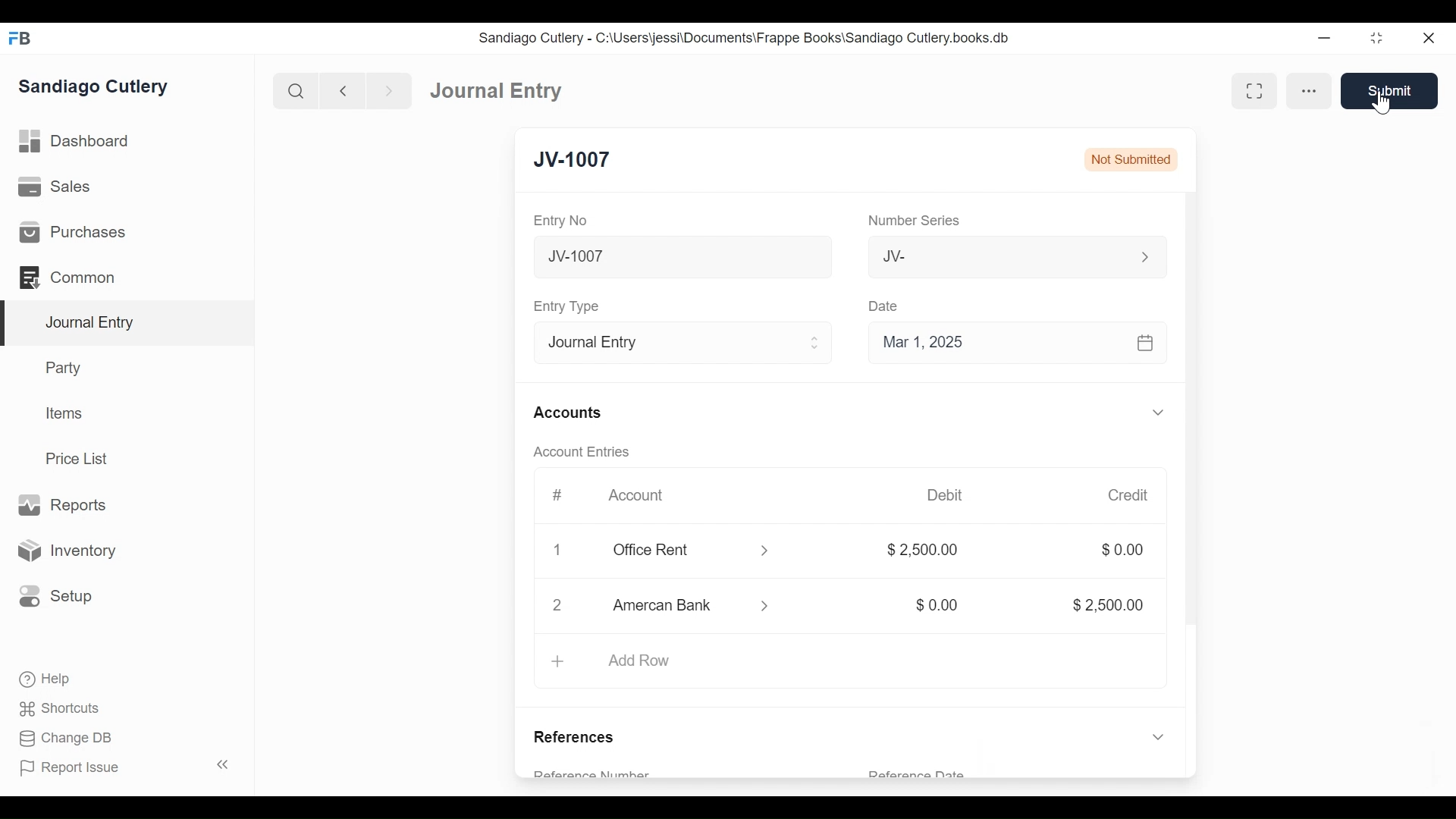 Image resolution: width=1456 pixels, height=819 pixels. Describe the element at coordinates (678, 340) in the screenshot. I see `Entry Type` at that location.